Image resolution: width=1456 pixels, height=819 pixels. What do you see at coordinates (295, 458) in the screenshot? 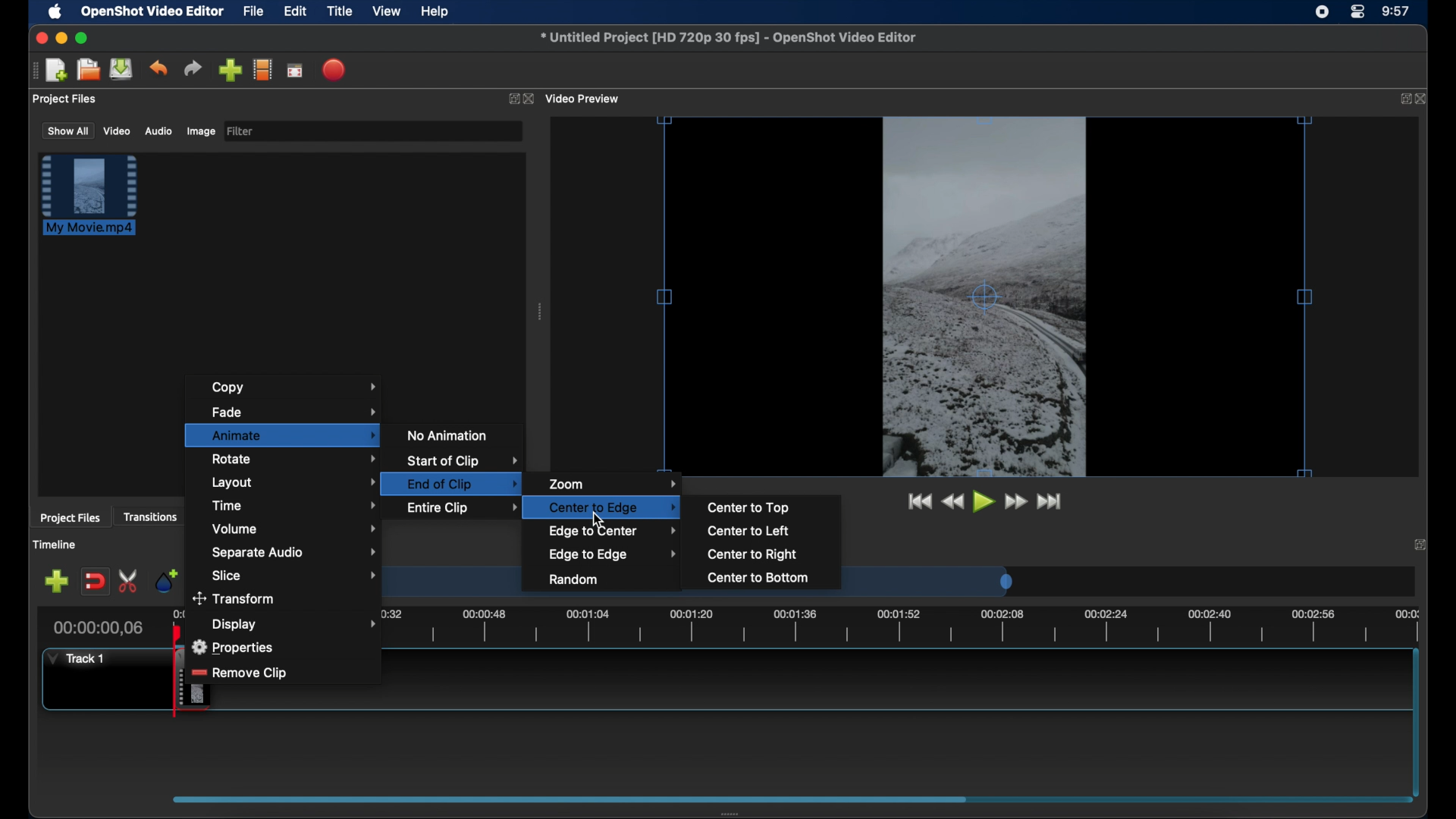
I see `rotate menu` at bounding box center [295, 458].